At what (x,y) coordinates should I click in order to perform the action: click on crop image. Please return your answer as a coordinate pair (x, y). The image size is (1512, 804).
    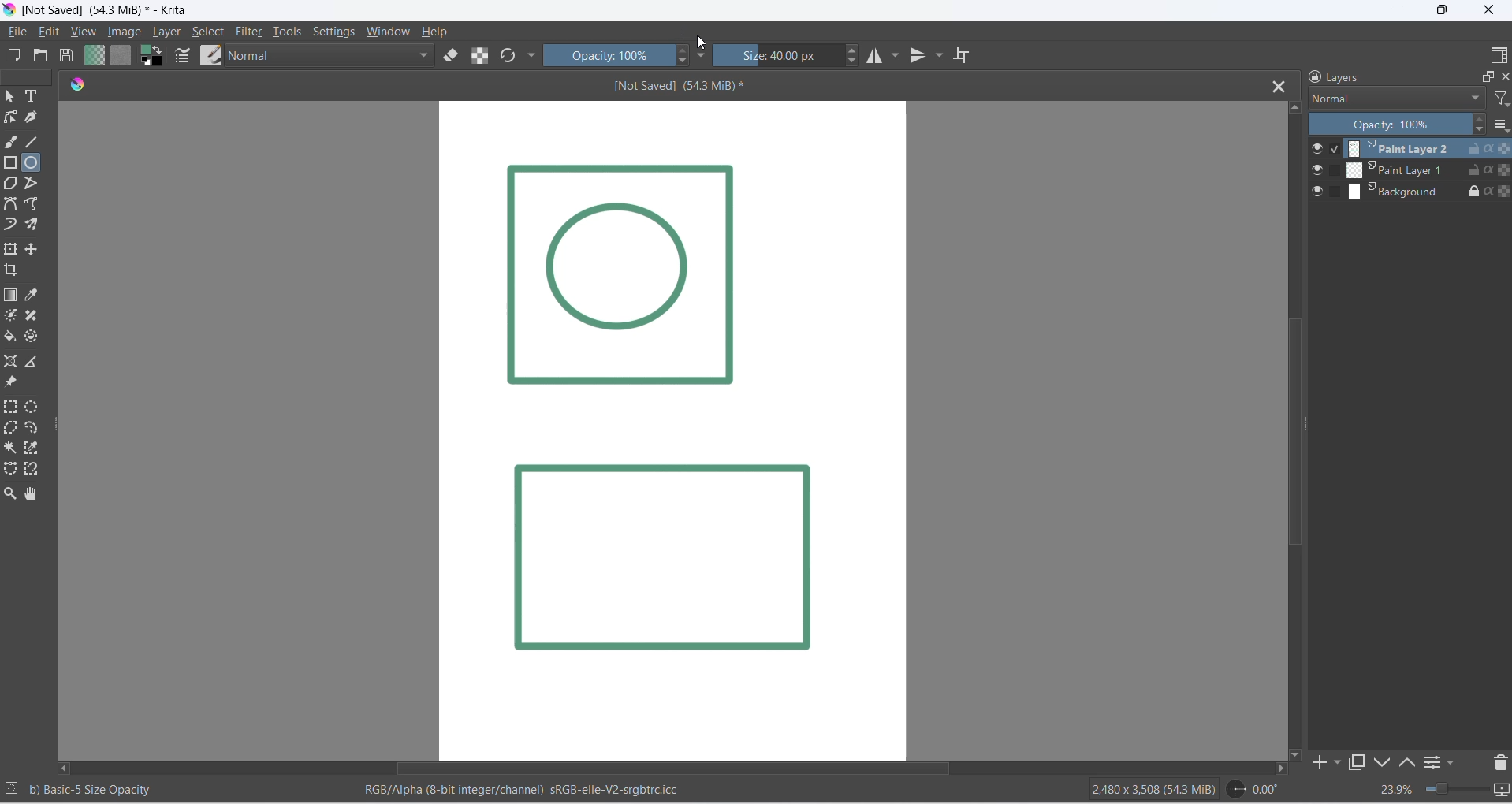
    Looking at the image, I should click on (14, 272).